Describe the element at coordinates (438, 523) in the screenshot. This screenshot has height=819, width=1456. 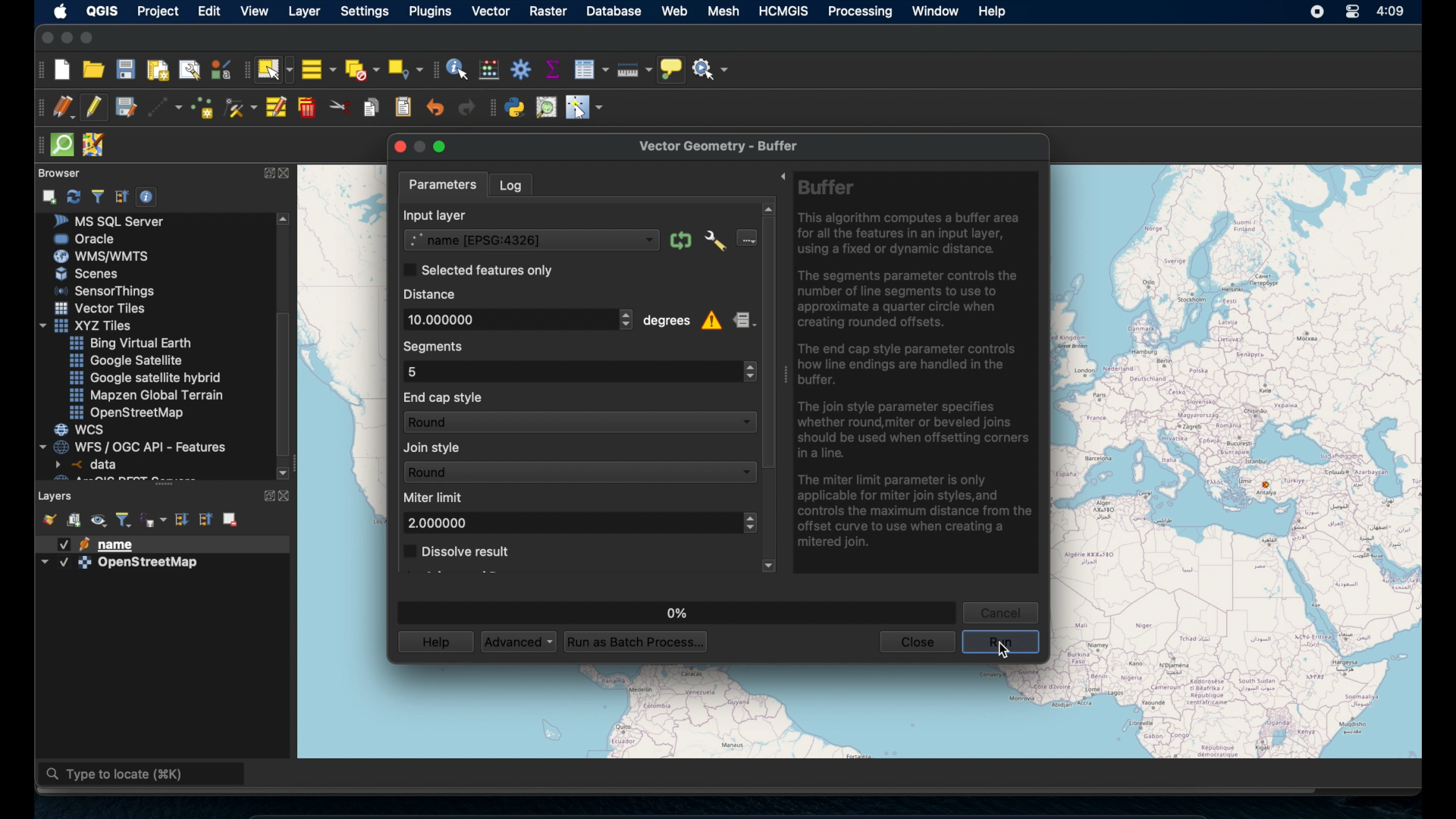
I see `2.000000` at that location.